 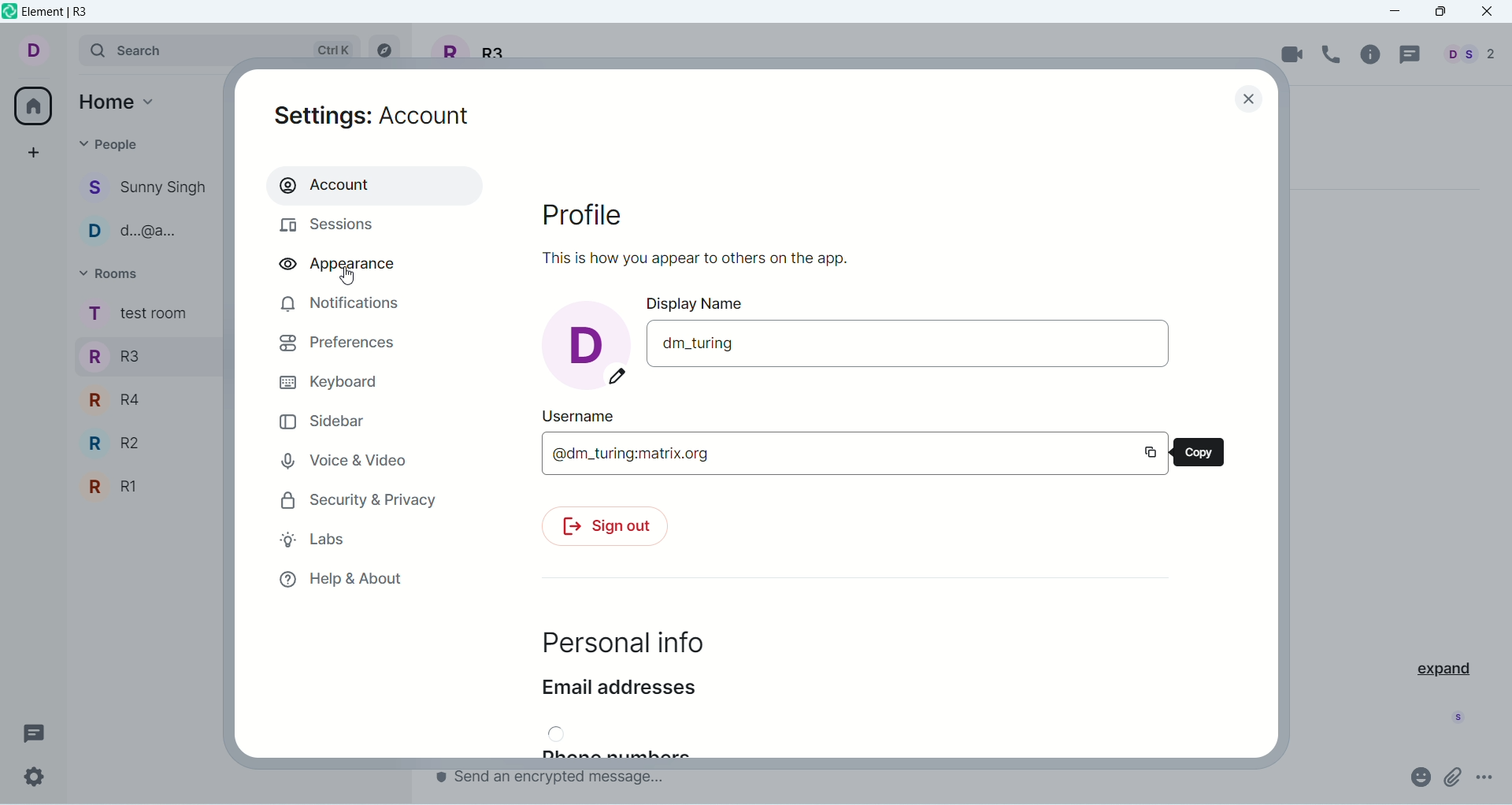 I want to click on R1, so click(x=145, y=488).